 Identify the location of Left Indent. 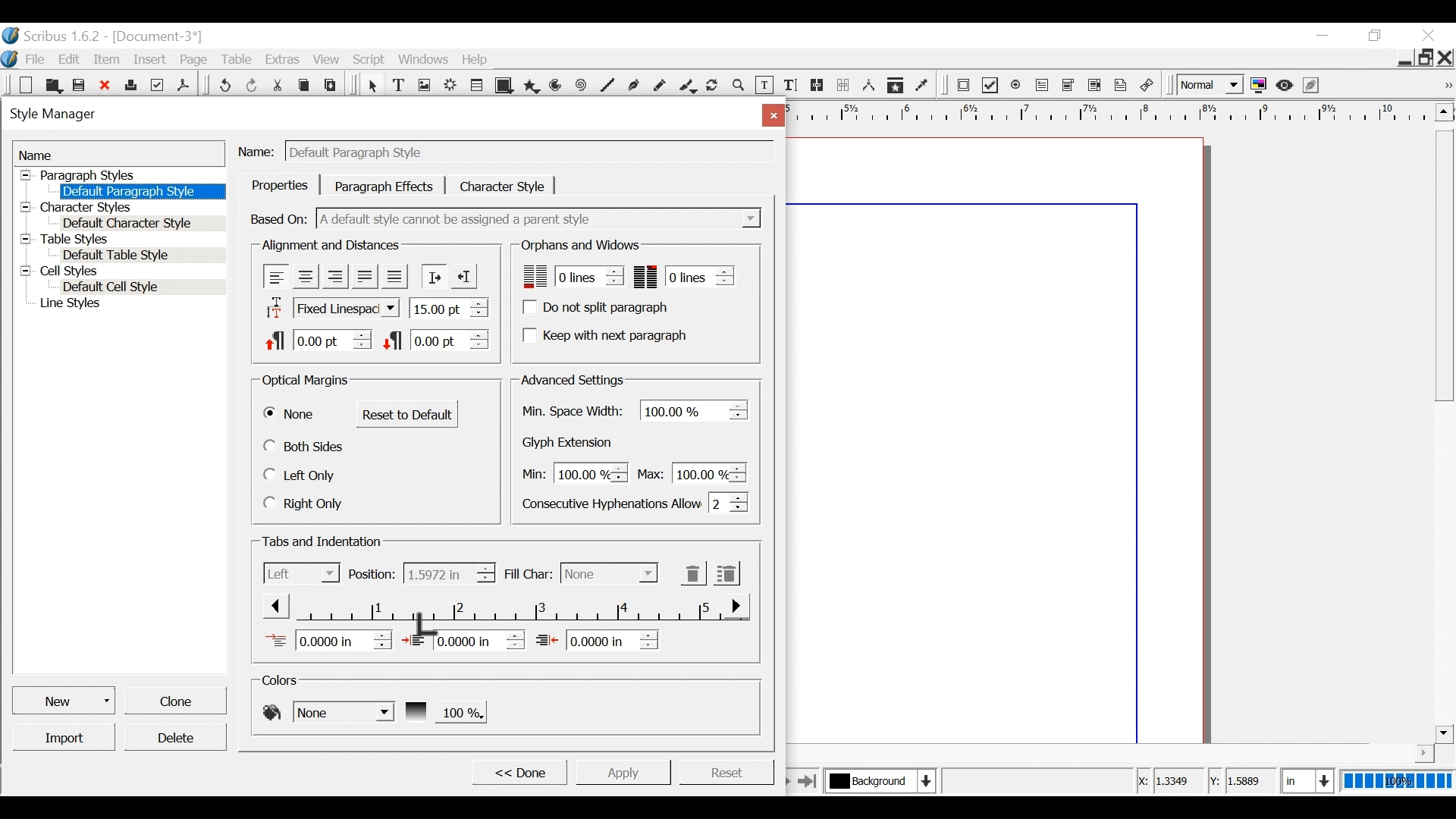
(463, 639).